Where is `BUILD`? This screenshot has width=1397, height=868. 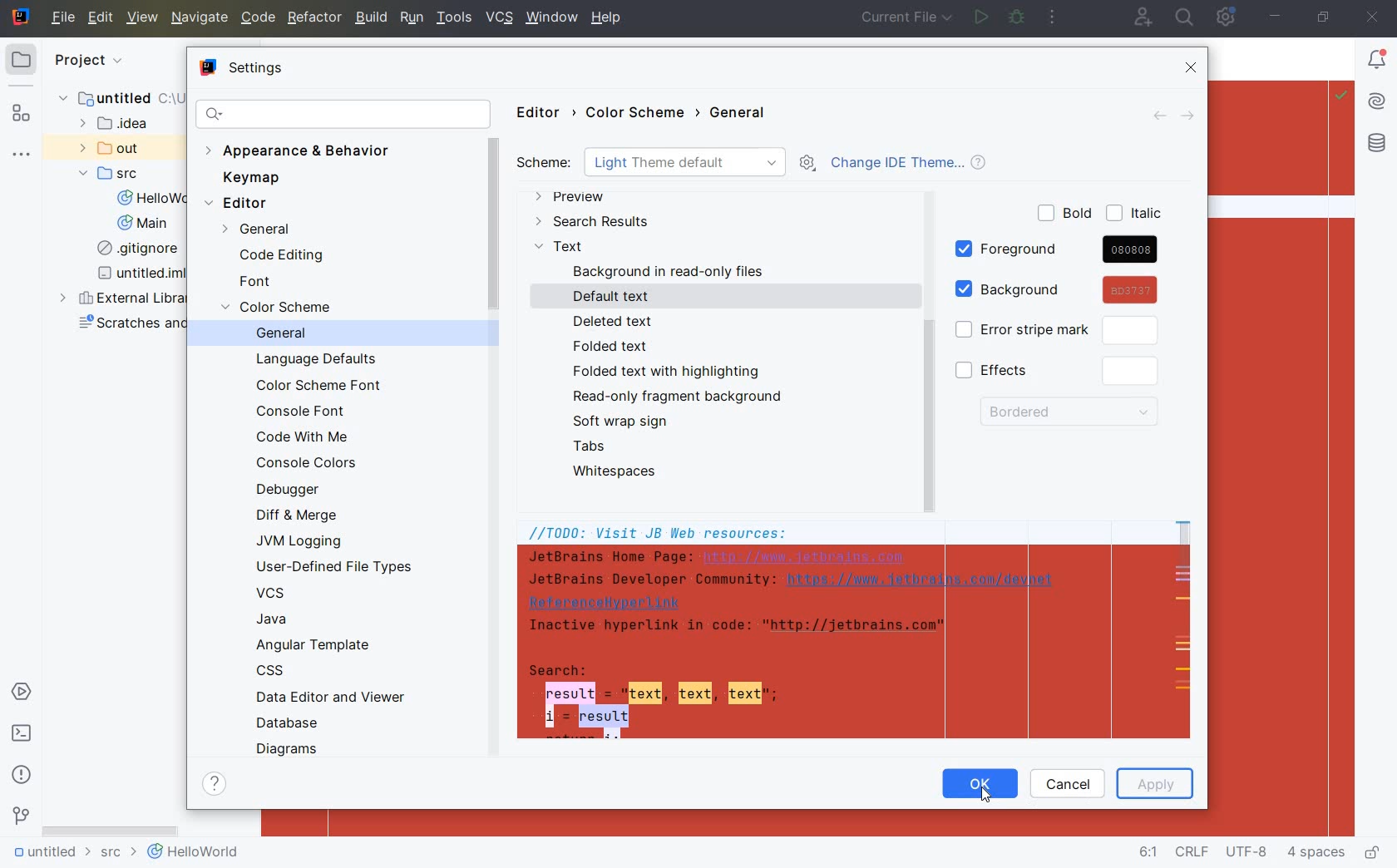
BUILD is located at coordinates (371, 17).